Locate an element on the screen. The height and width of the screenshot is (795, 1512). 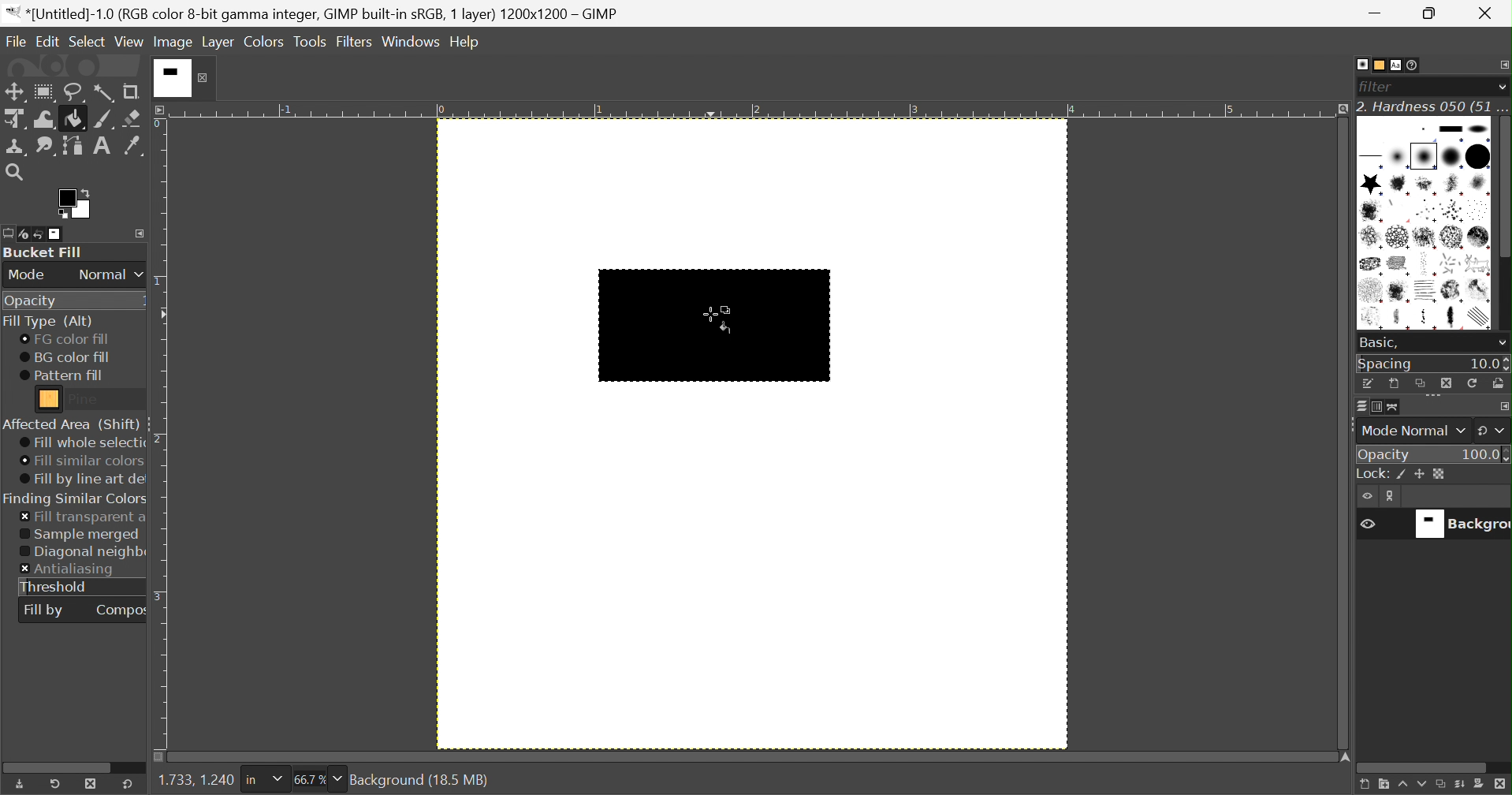
*[Untitled]-6.0 (RGB color 8-bit gamma integer, GIMP built-in sRGB, 1 layer) 1200x1200 — GIMP is located at coordinates (314, 13).